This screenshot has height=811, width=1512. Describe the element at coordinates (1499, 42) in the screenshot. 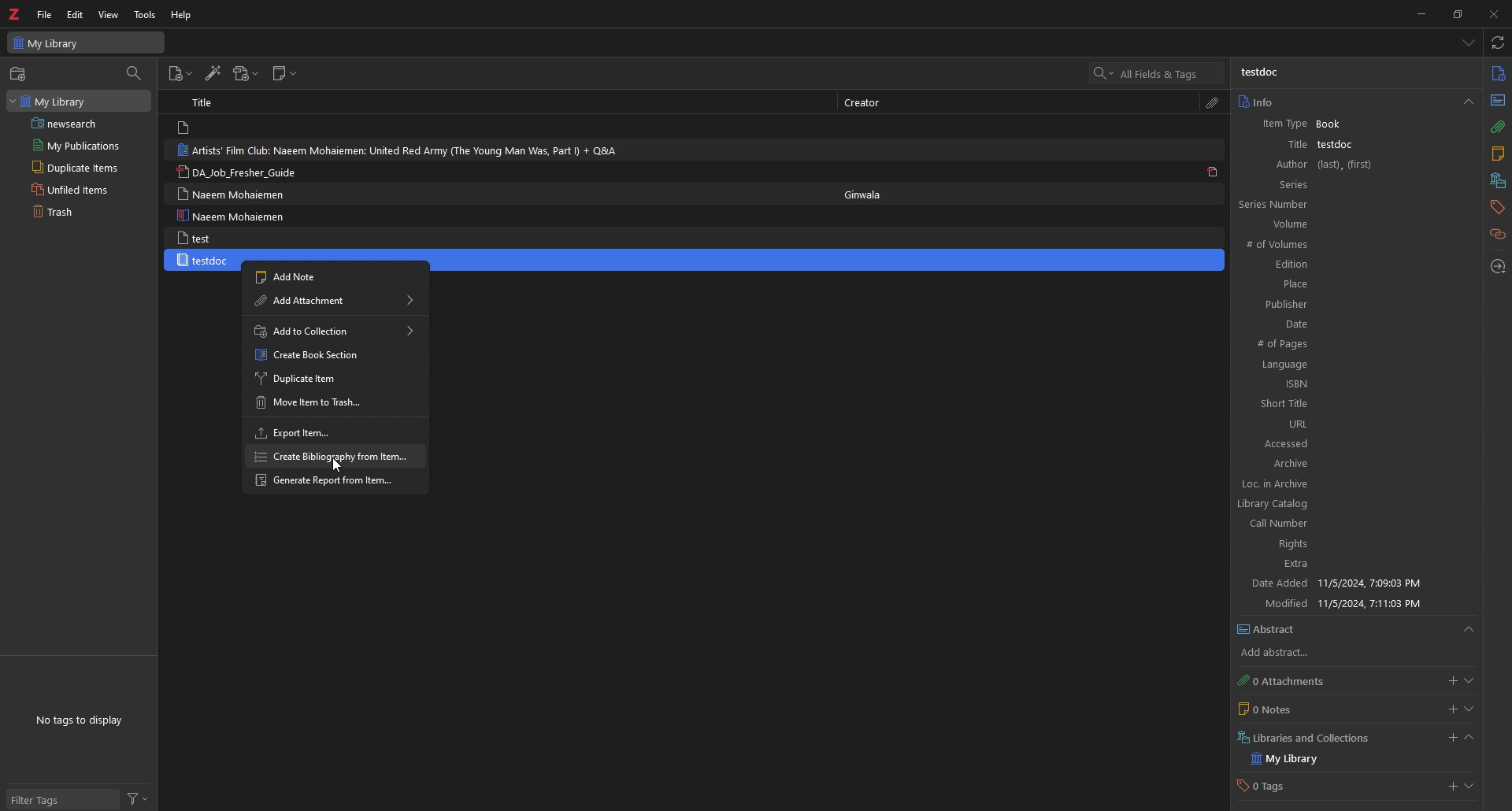

I see `sync with zotero.org` at that location.